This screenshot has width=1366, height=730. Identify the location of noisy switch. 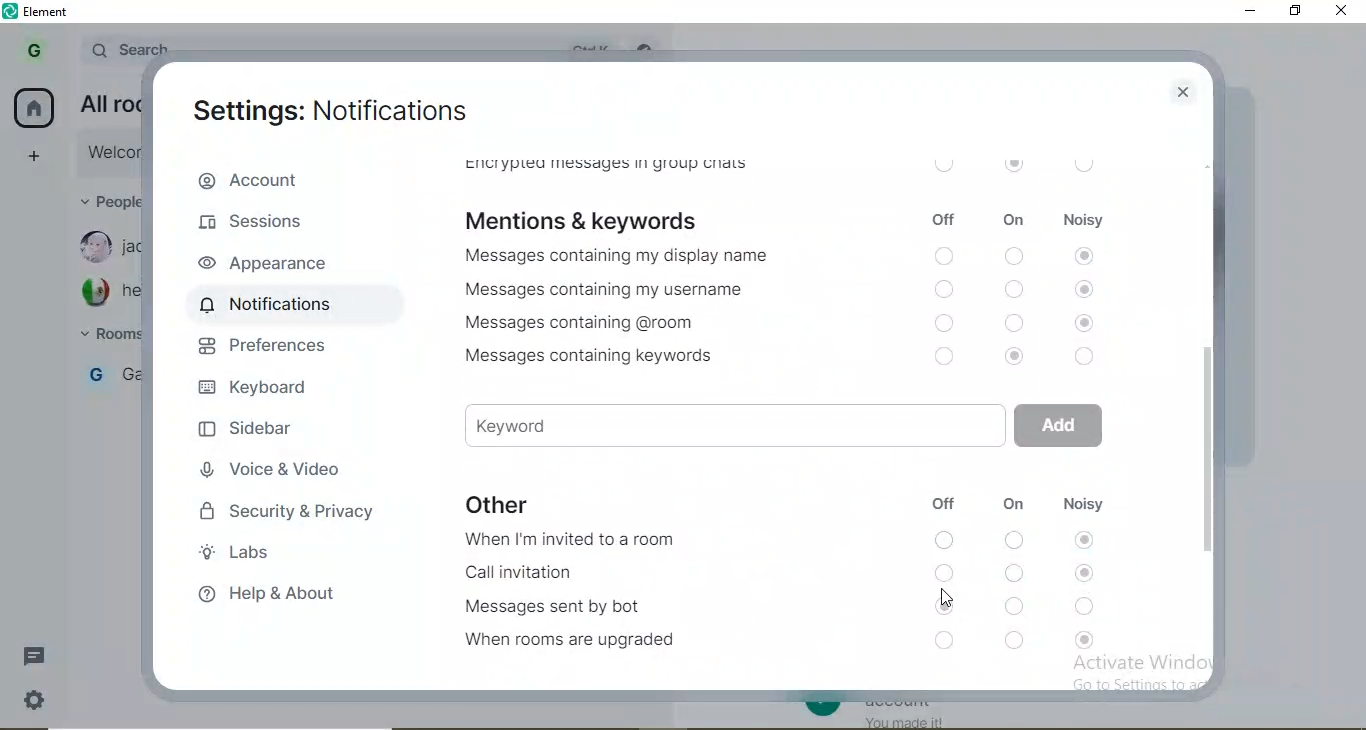
(1089, 357).